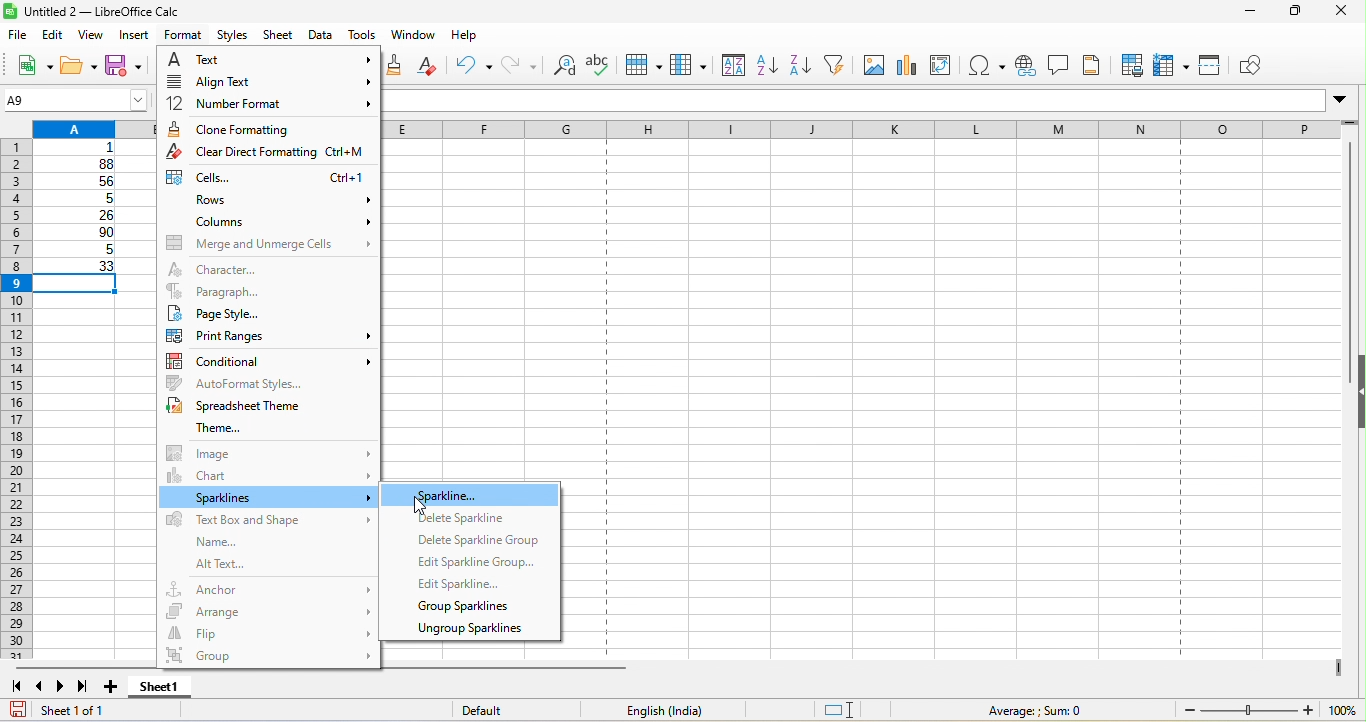 This screenshot has width=1366, height=722. Describe the element at coordinates (881, 131) in the screenshot. I see `column headingas` at that location.